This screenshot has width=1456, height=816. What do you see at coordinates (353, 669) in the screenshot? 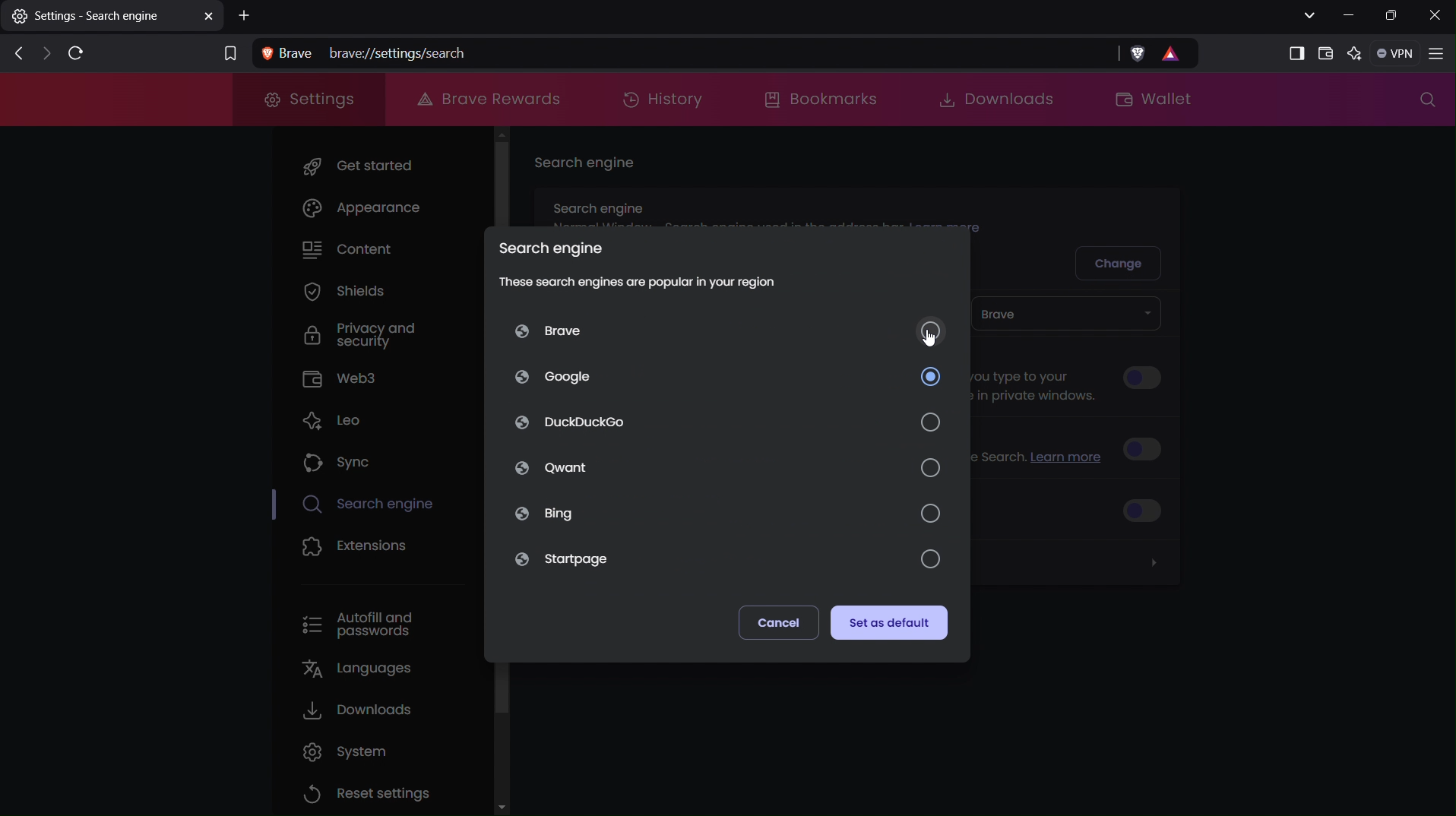
I see `Languages` at bounding box center [353, 669].